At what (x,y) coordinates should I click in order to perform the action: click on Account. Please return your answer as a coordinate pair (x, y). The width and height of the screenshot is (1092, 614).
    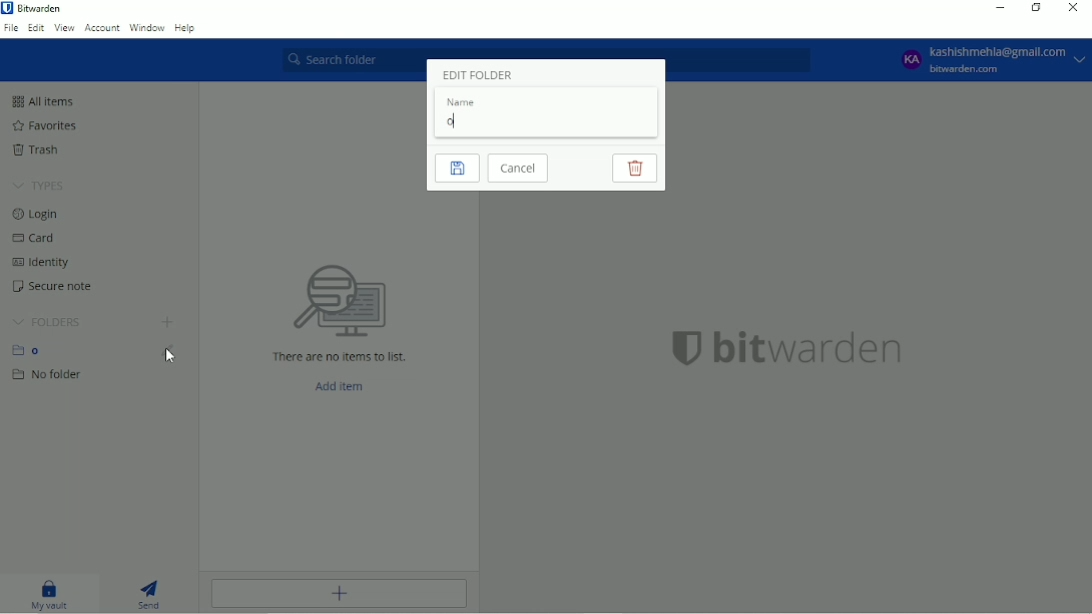
    Looking at the image, I should click on (988, 60).